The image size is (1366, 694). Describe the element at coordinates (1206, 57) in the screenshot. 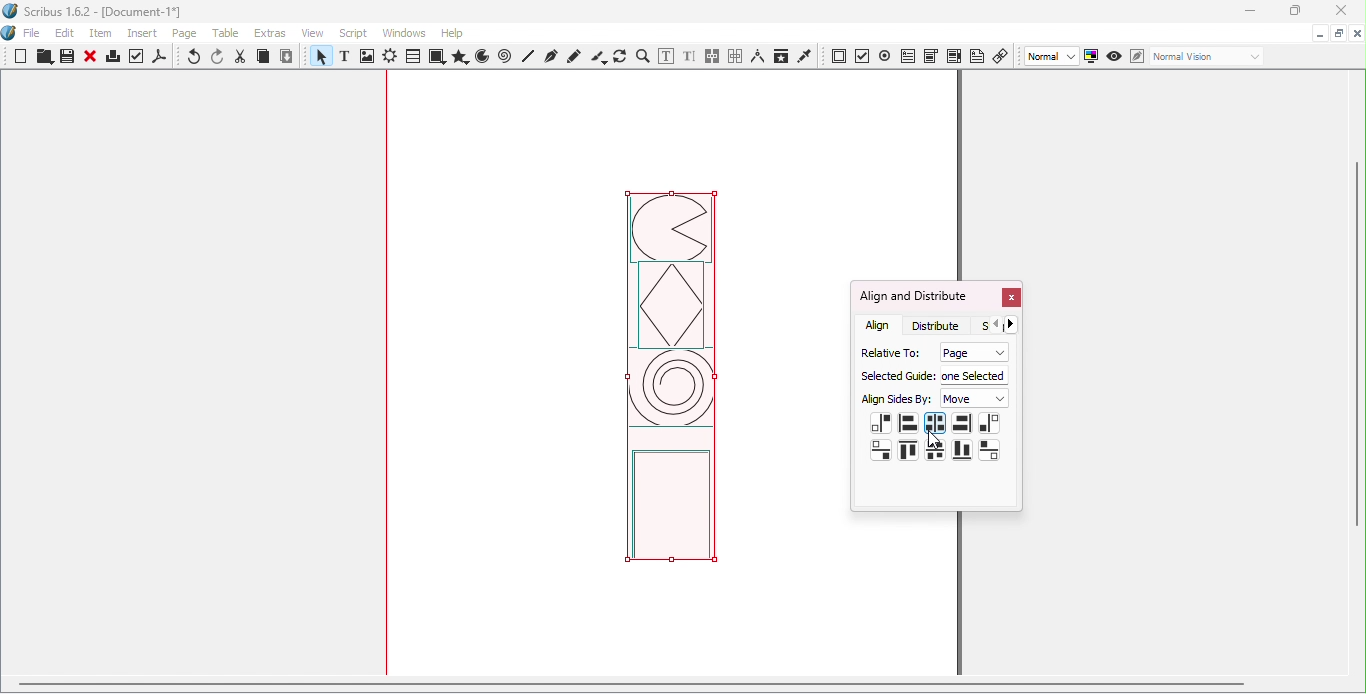

I see `Select the visual appearance of the display` at that location.